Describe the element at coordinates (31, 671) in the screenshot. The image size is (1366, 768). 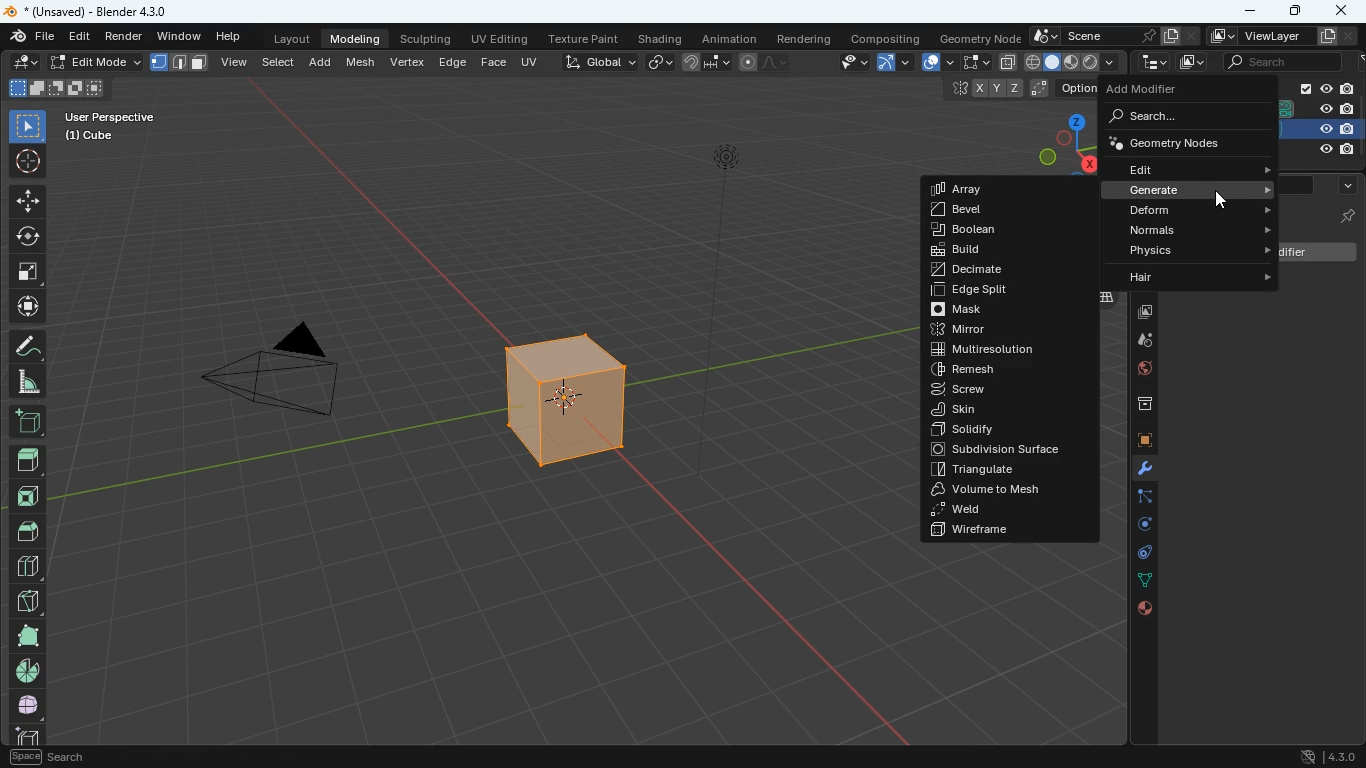
I see `pie` at that location.